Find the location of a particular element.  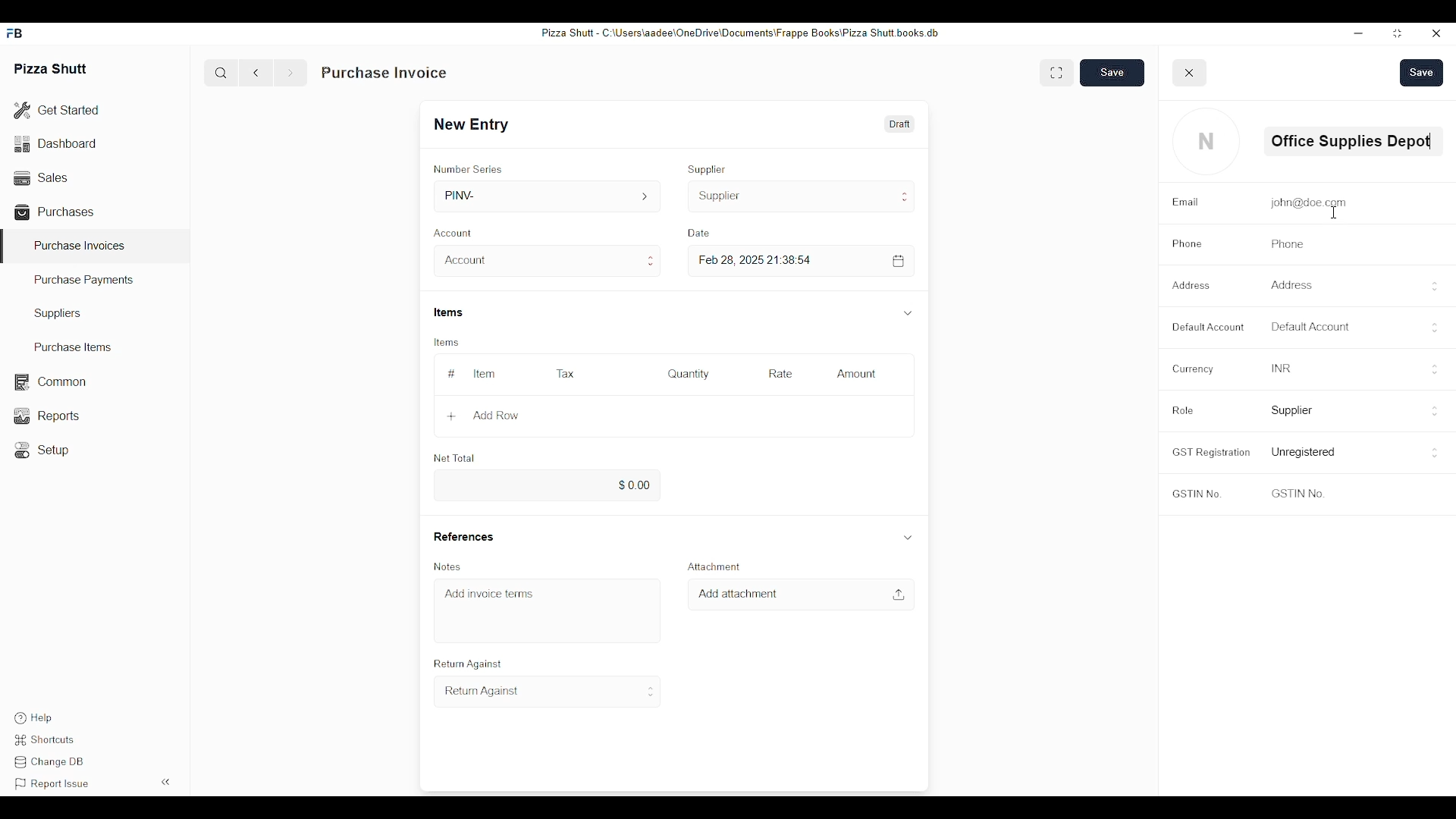

Phone is located at coordinates (1187, 244).